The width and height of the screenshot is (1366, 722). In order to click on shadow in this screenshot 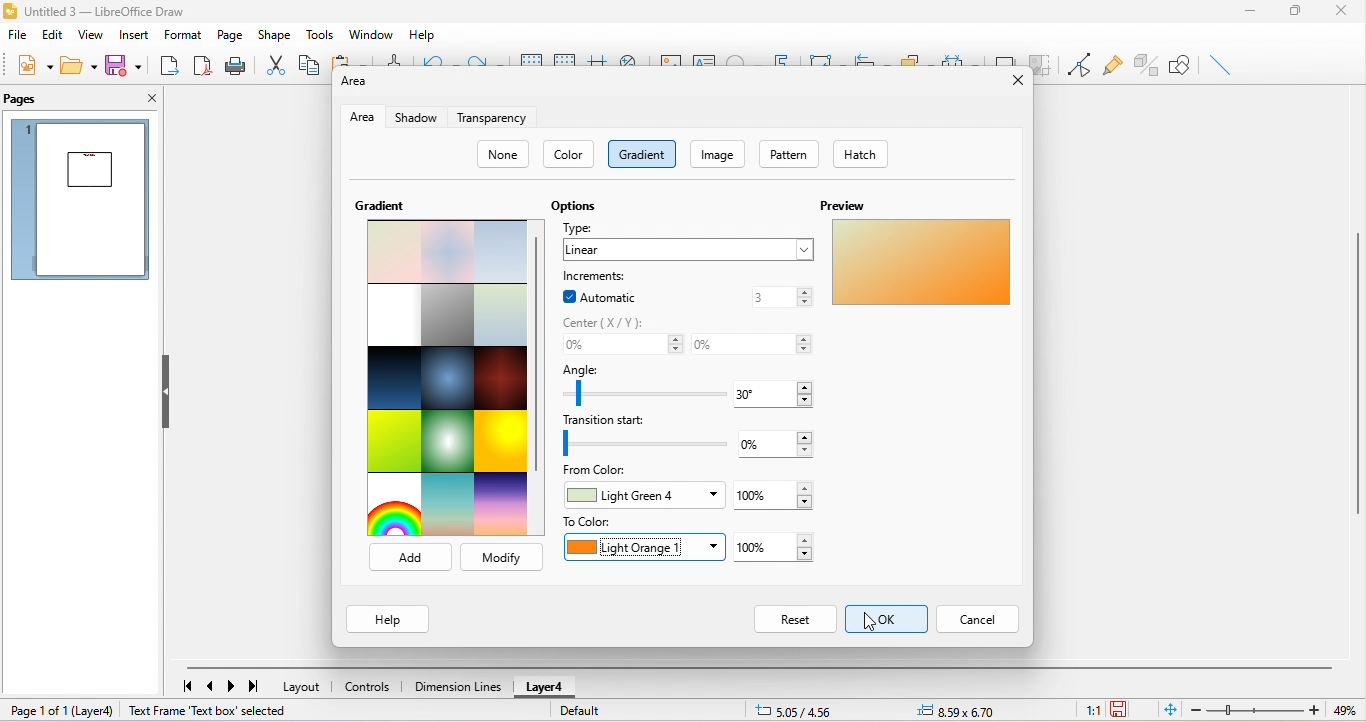, I will do `click(417, 116)`.